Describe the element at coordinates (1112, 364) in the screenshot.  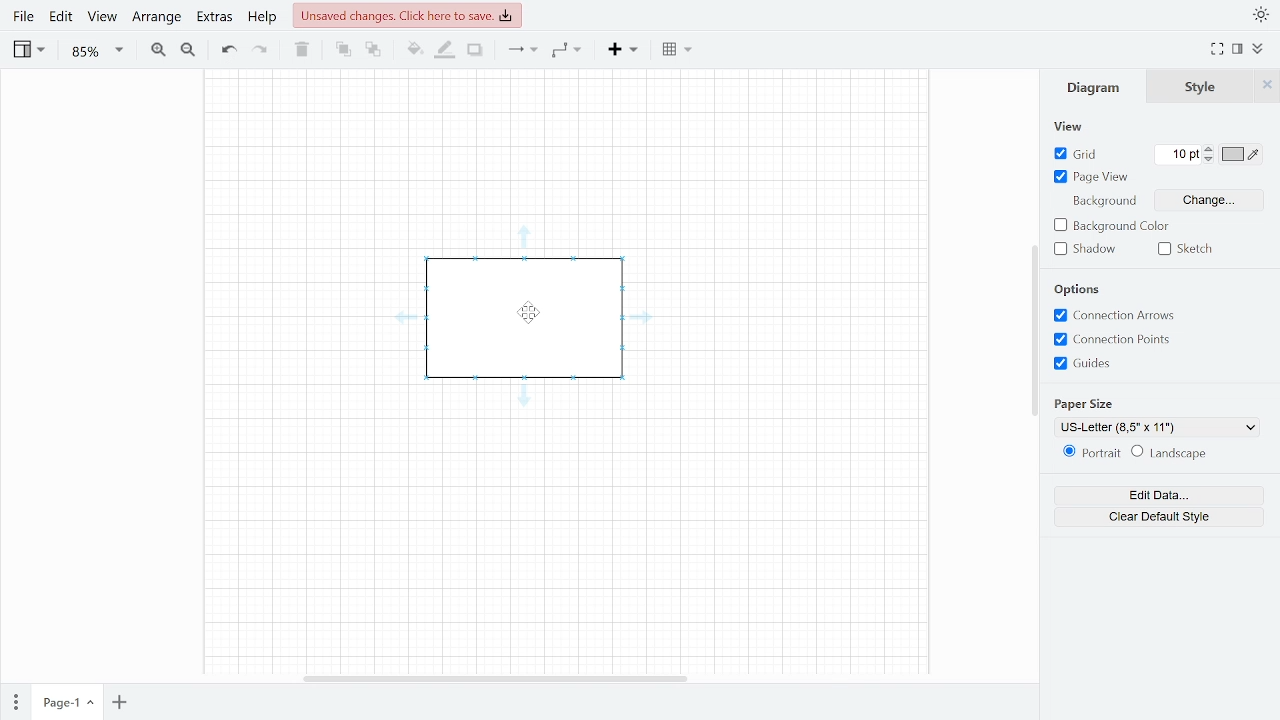
I see `Guides` at that location.